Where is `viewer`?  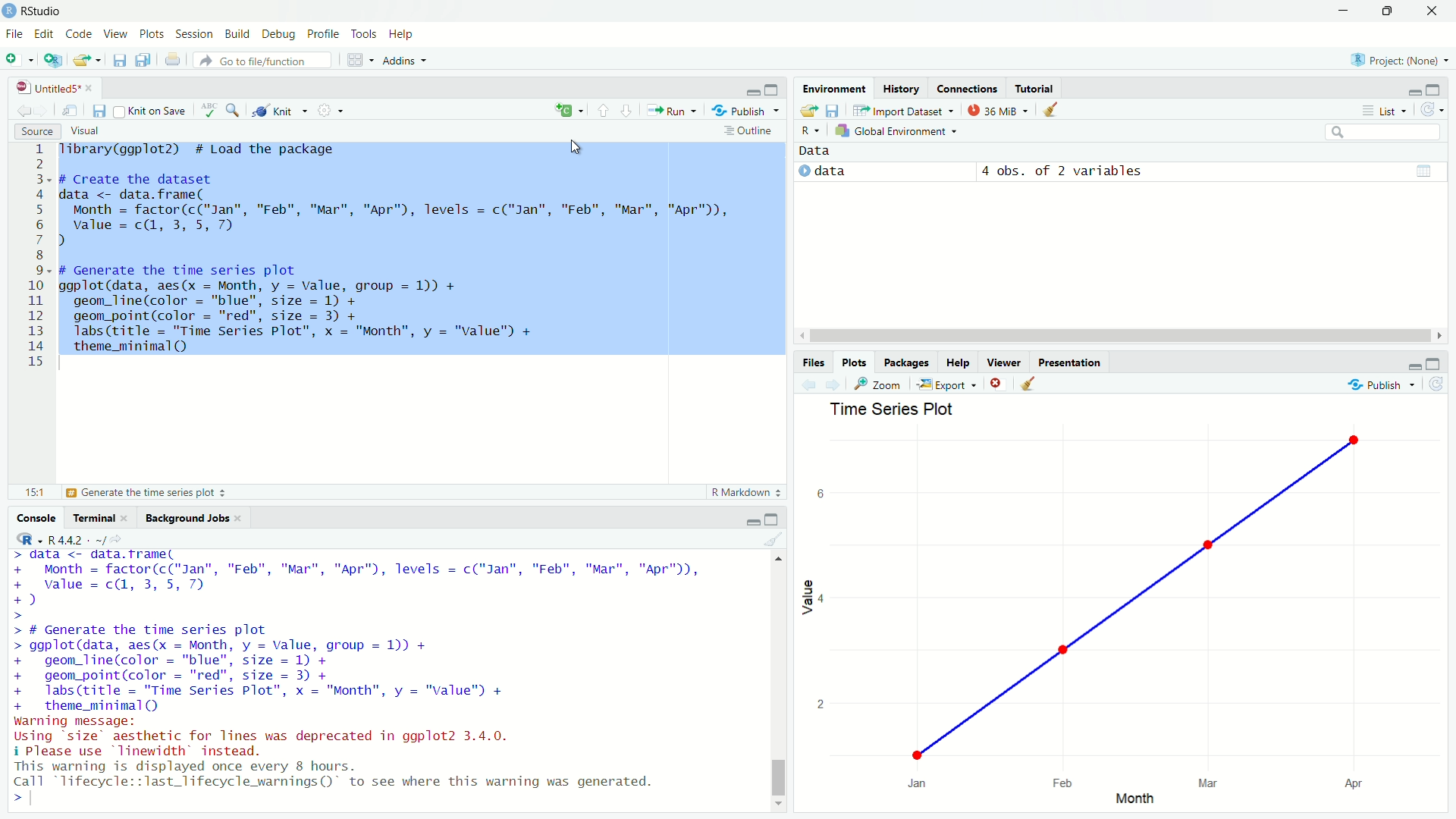 viewer is located at coordinates (1004, 359).